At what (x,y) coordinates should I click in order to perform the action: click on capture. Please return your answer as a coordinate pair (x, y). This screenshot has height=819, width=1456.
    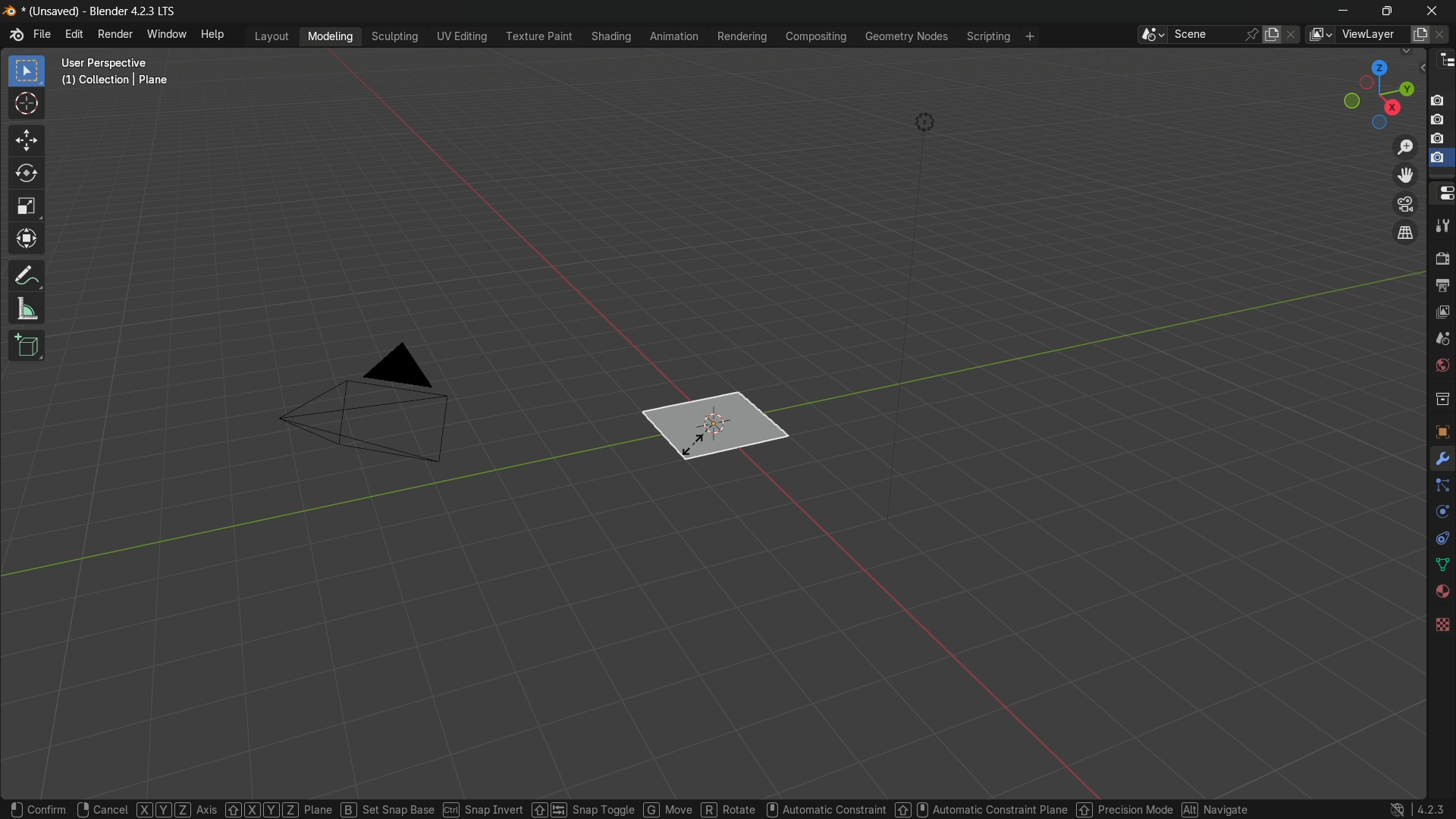
    Looking at the image, I should click on (1438, 118).